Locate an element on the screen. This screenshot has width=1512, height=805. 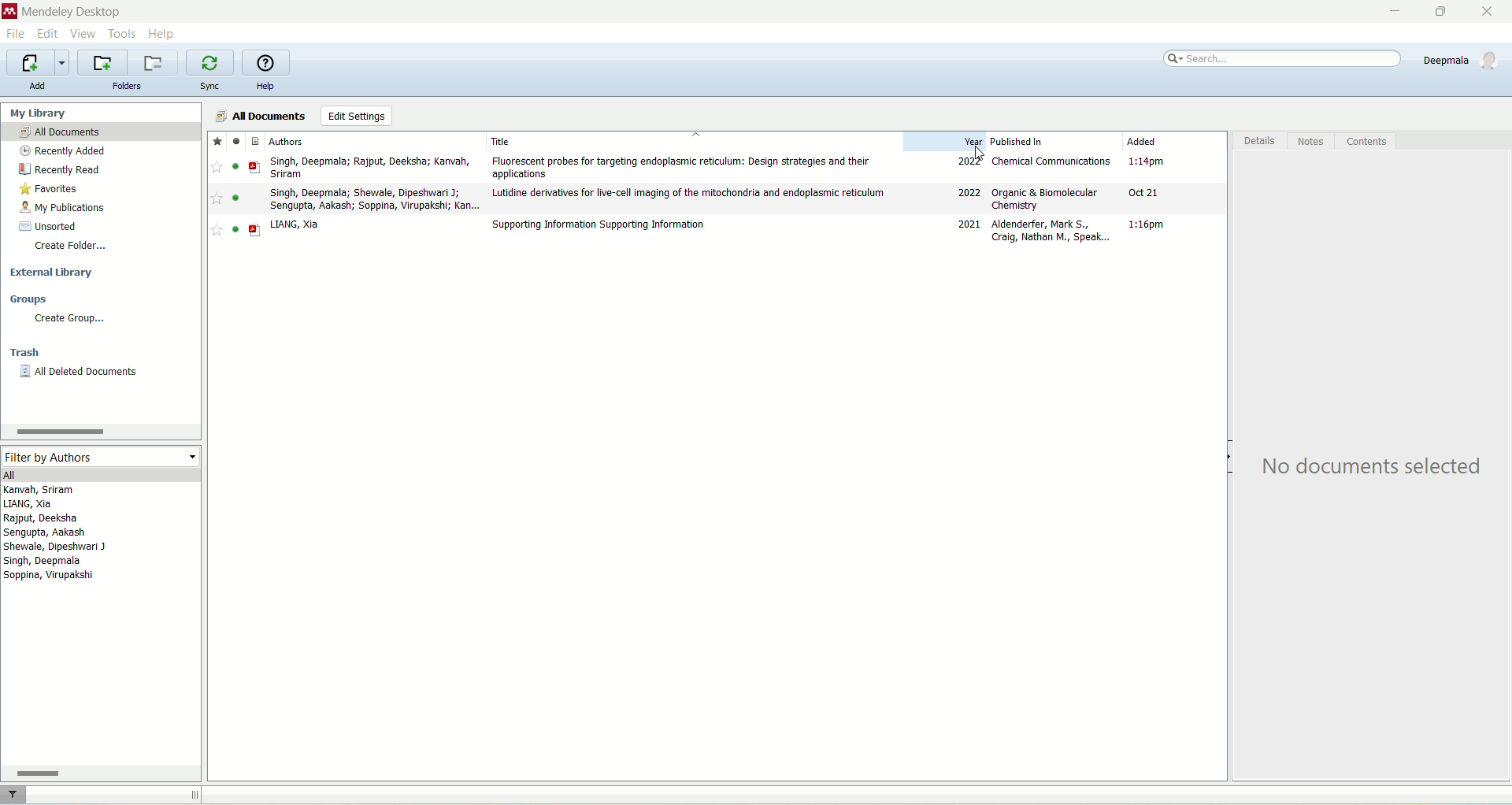
filter is located at coordinates (13, 795).